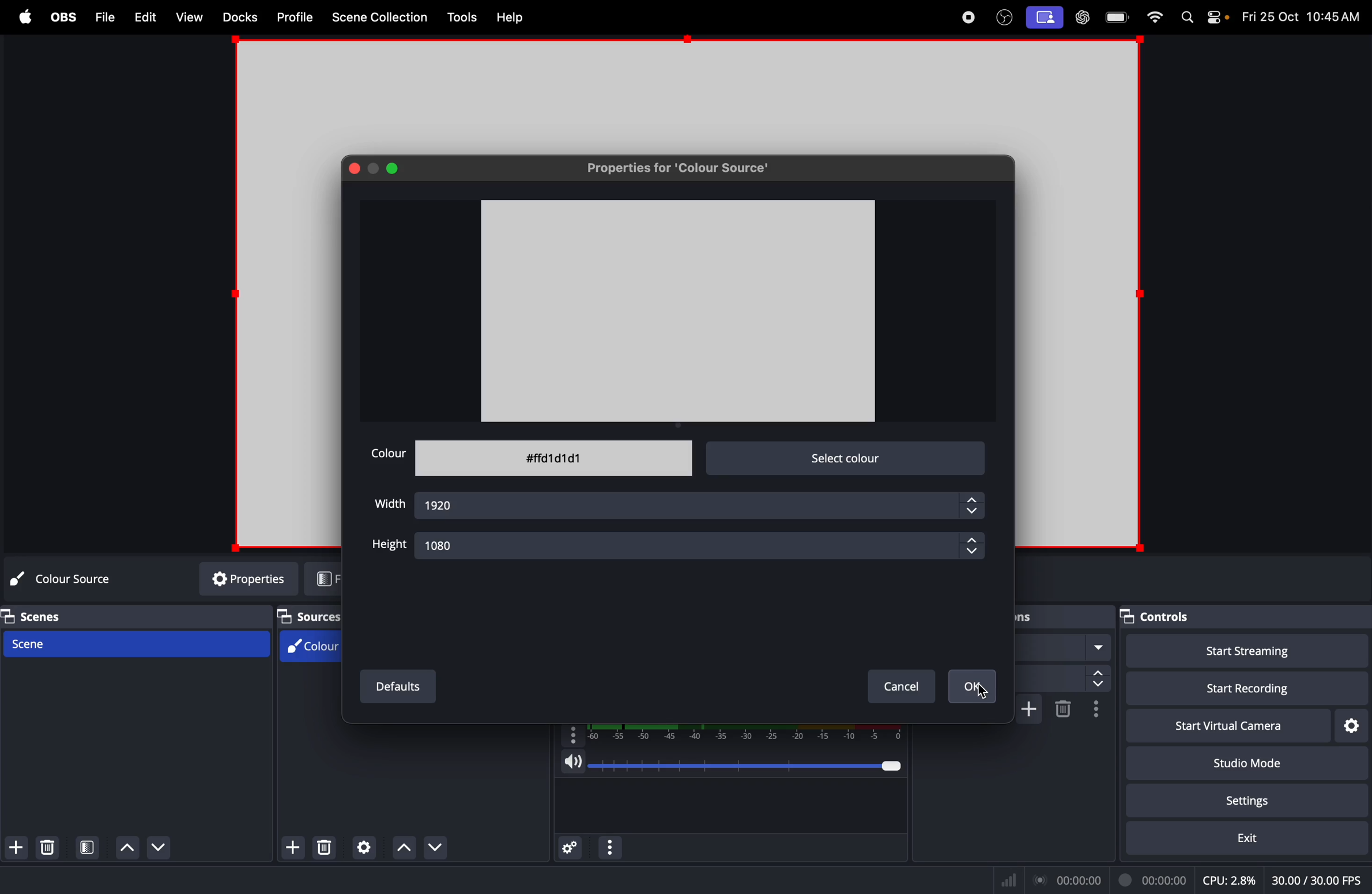 This screenshot has width=1372, height=894. I want to click on options, so click(610, 847).